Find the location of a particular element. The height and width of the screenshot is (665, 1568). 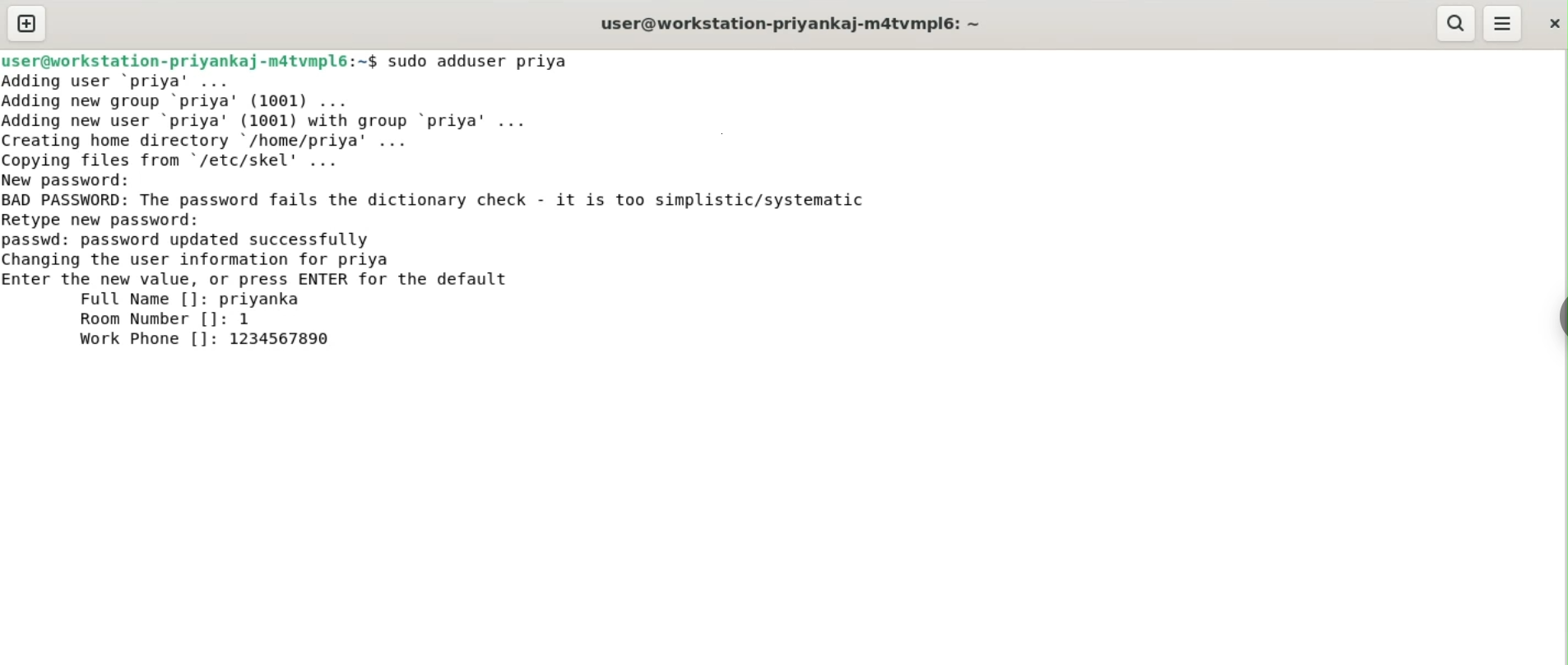

new tab is located at coordinates (26, 23).